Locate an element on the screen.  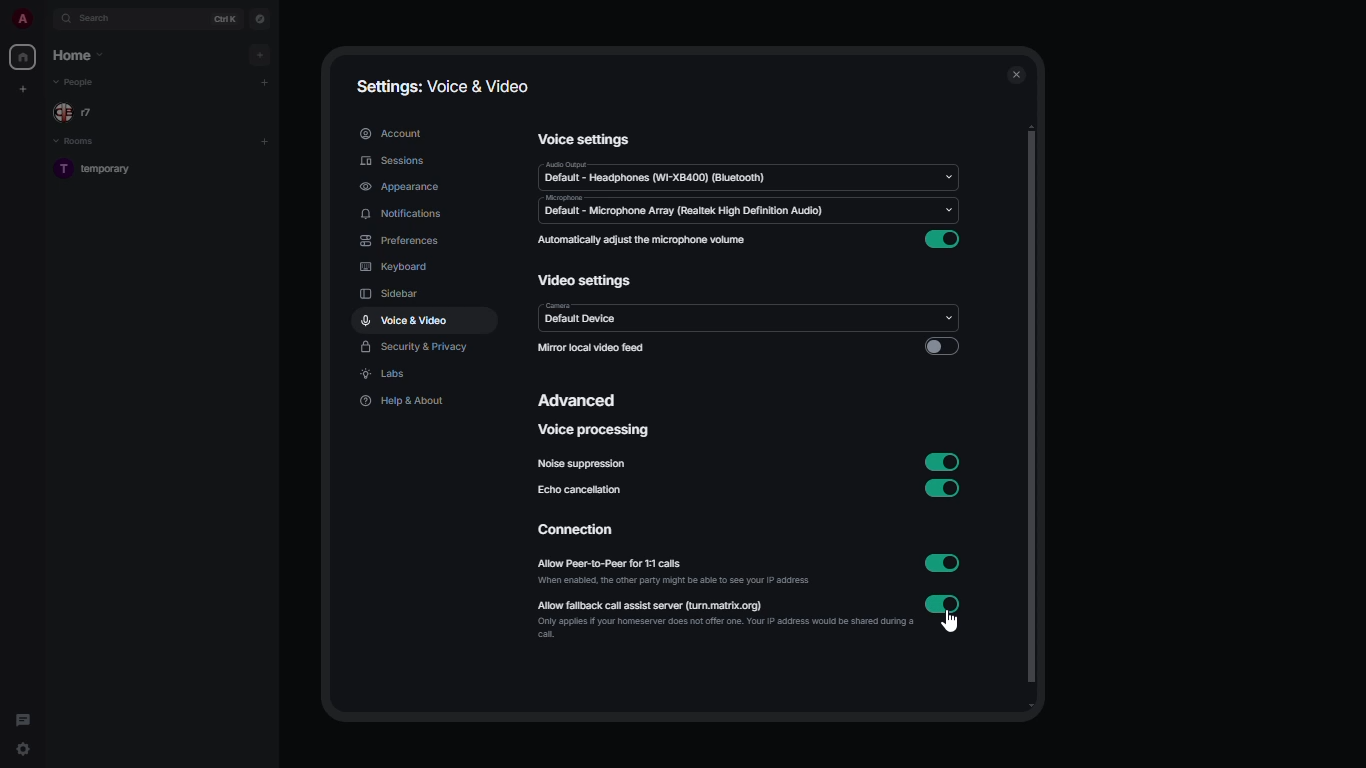
account is located at coordinates (392, 132).